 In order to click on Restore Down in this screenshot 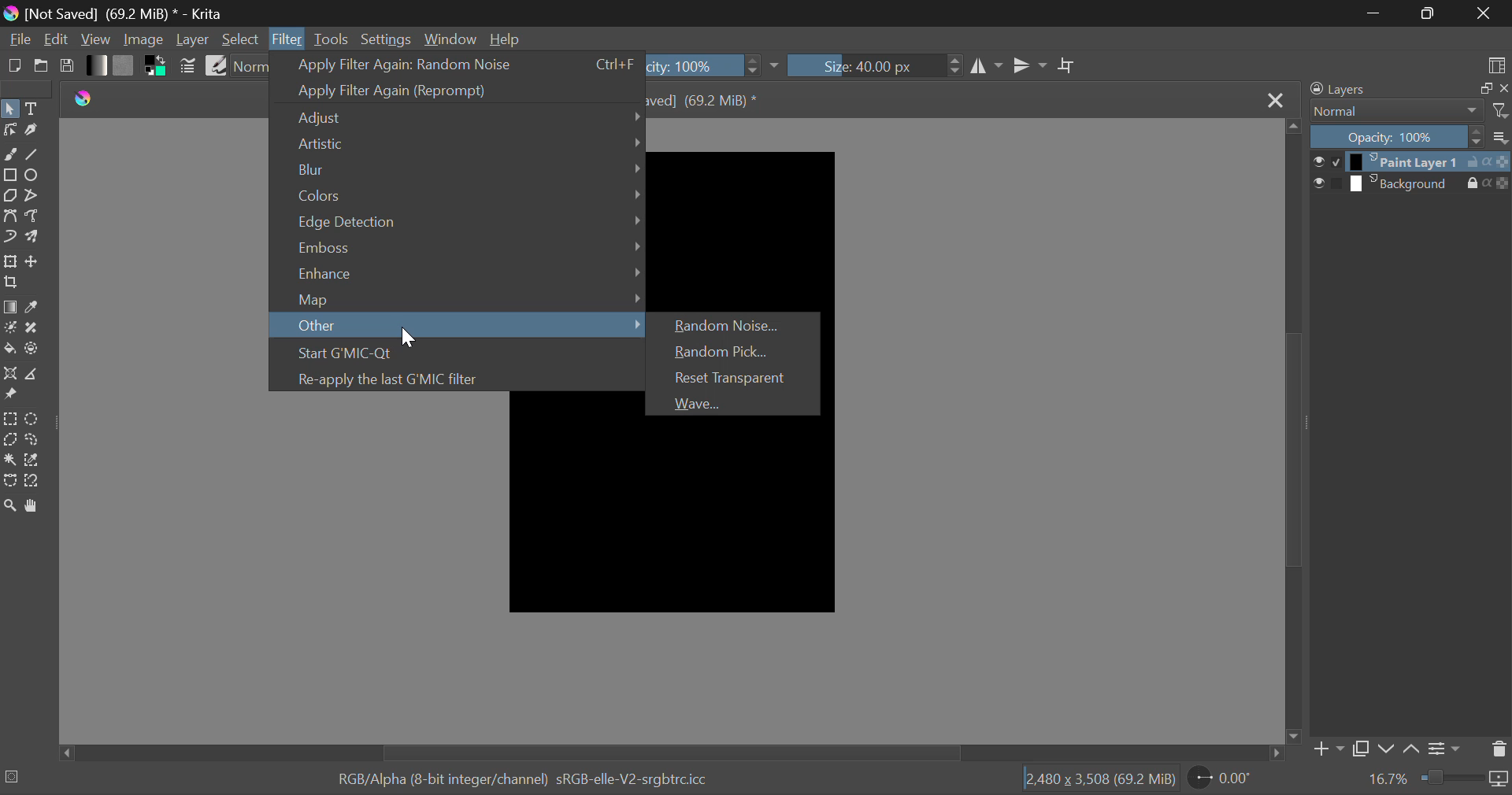, I will do `click(1376, 13)`.